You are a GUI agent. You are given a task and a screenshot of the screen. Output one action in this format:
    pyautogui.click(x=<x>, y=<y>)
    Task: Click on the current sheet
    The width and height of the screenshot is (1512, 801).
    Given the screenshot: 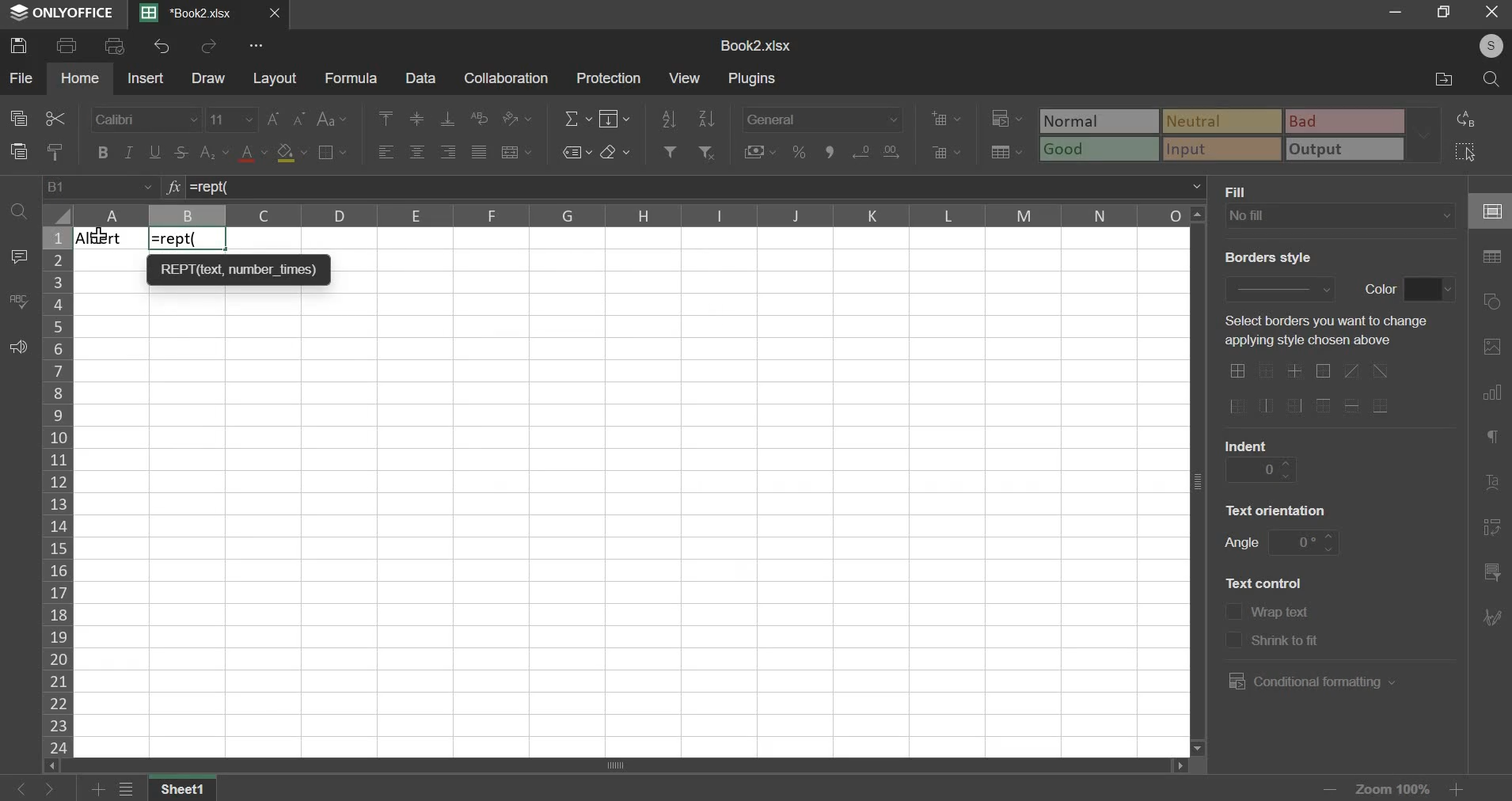 What is the action you would take?
    pyautogui.click(x=193, y=14)
    